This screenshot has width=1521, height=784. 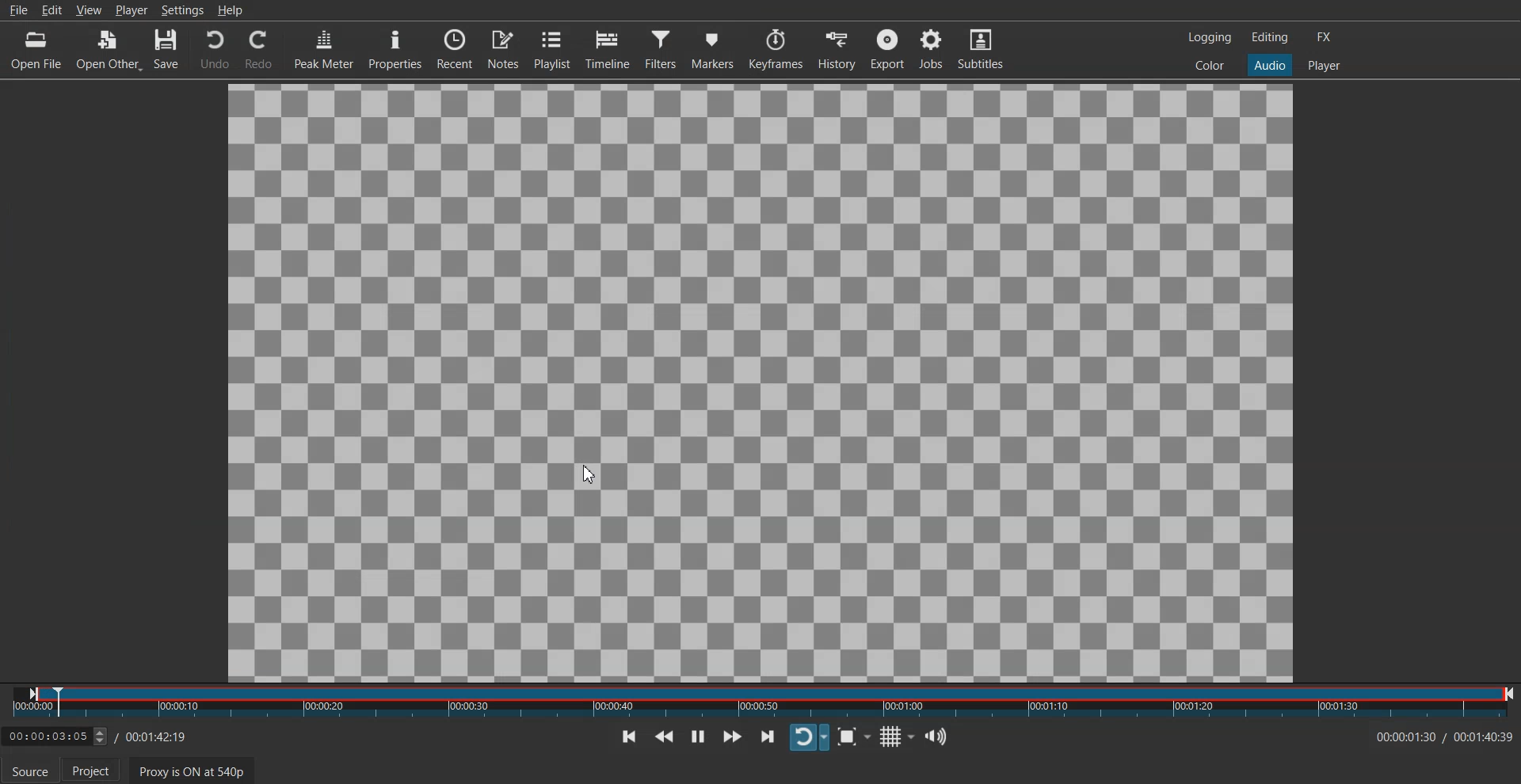 I want to click on Skip To next point, so click(x=768, y=736).